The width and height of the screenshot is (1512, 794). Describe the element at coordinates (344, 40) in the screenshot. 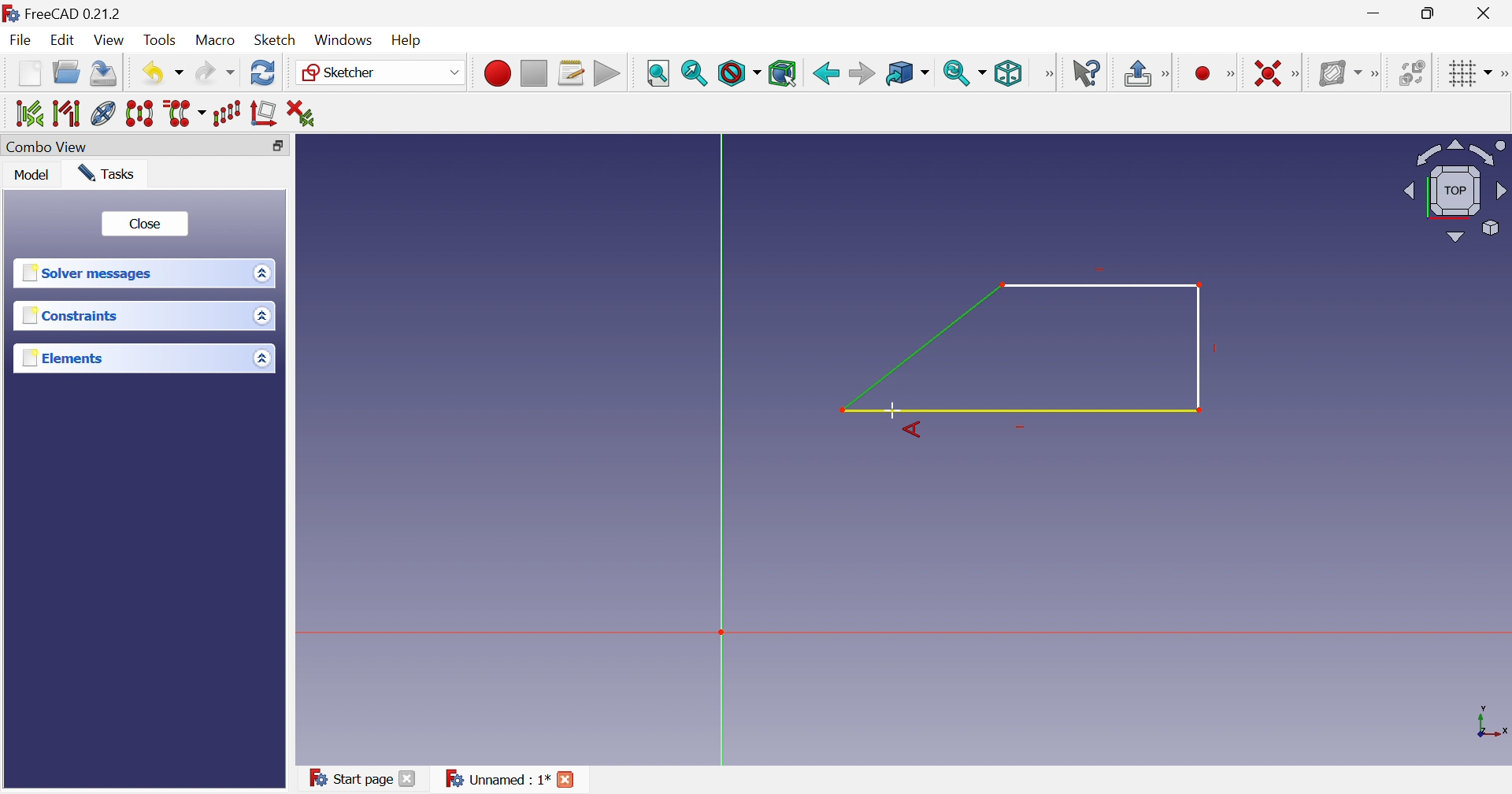

I see `Windows` at that location.